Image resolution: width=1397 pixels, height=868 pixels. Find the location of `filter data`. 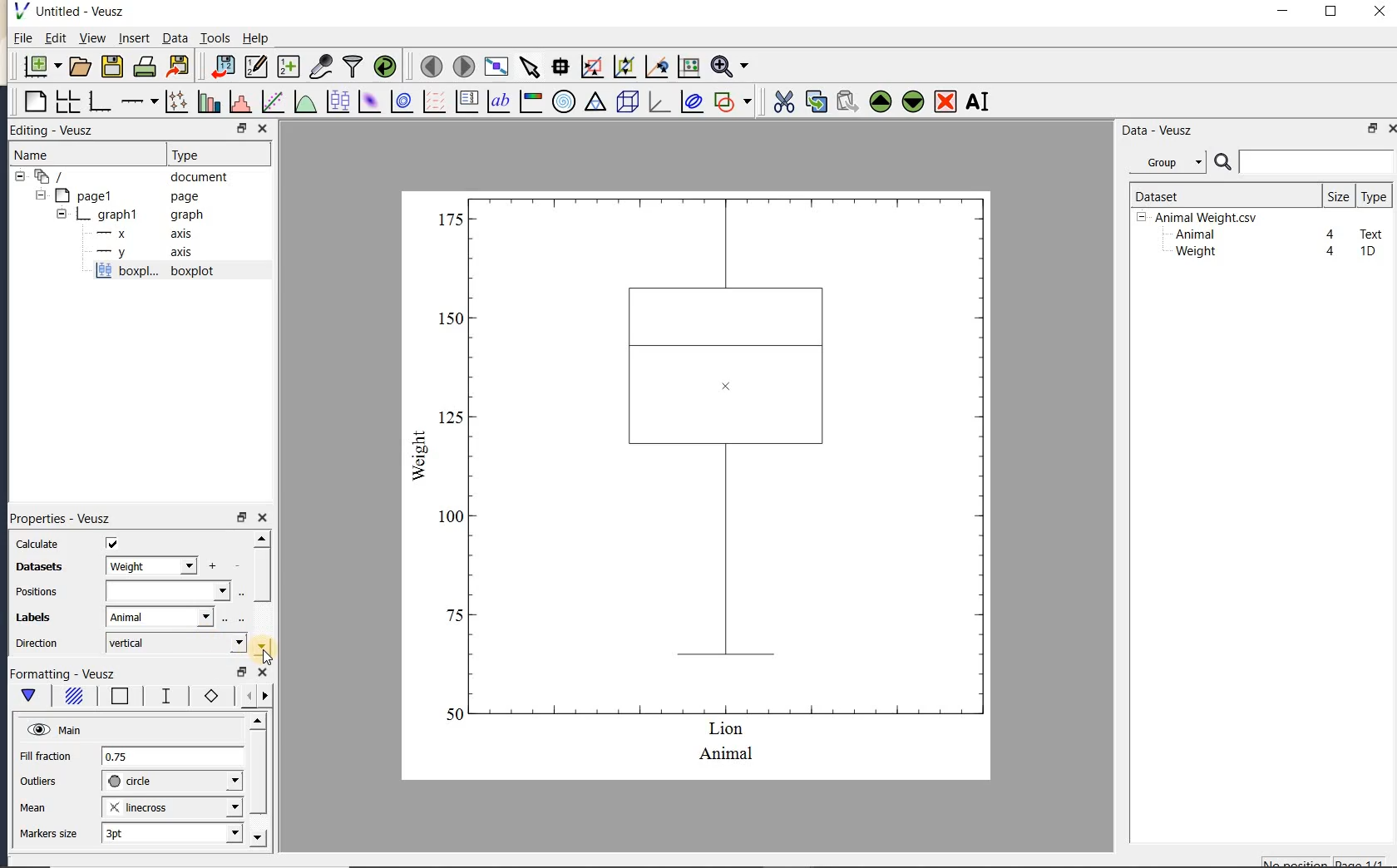

filter data is located at coordinates (353, 65).